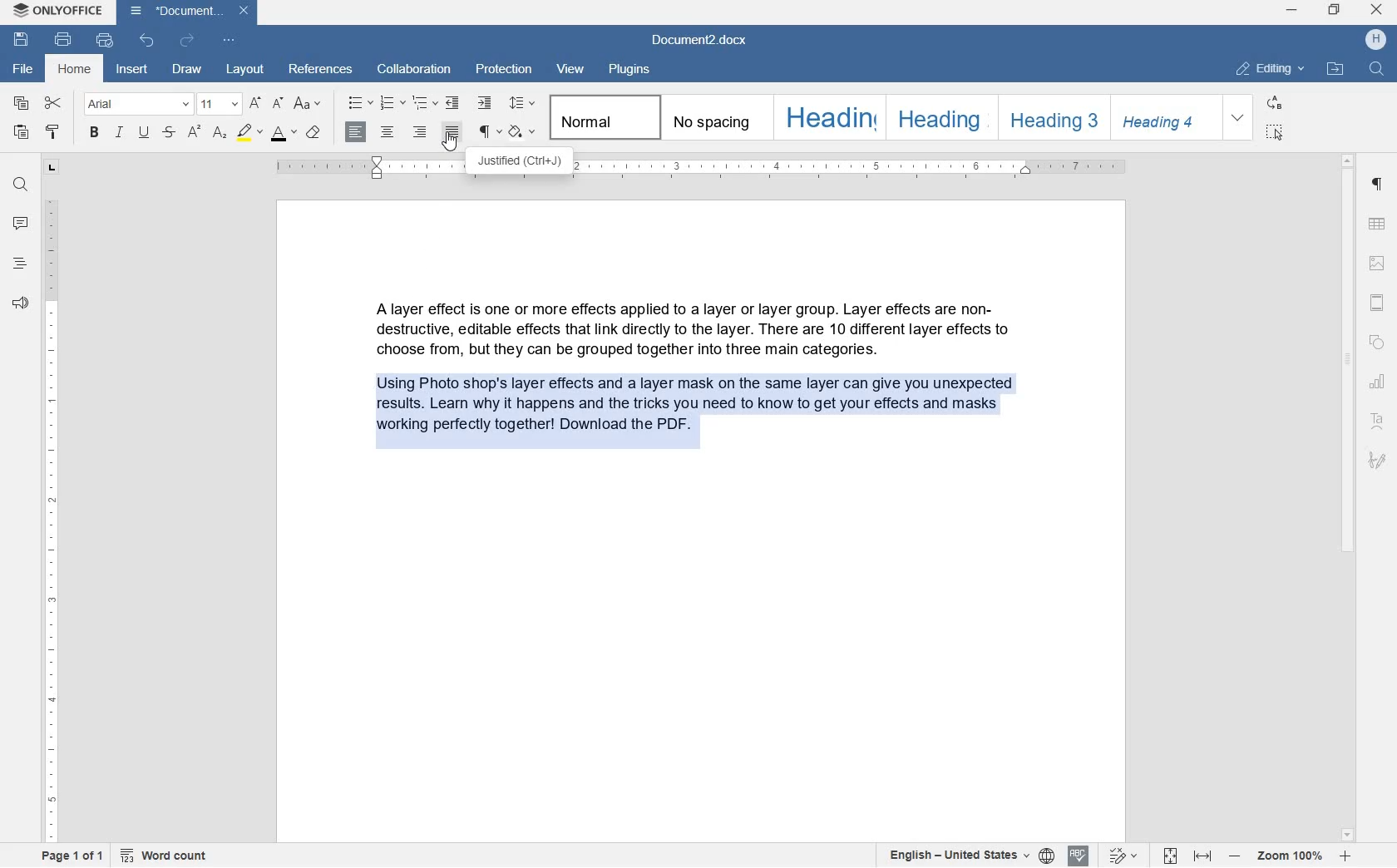 This screenshot has height=868, width=1397. Describe the element at coordinates (245, 67) in the screenshot. I see `LAYOUT` at that location.